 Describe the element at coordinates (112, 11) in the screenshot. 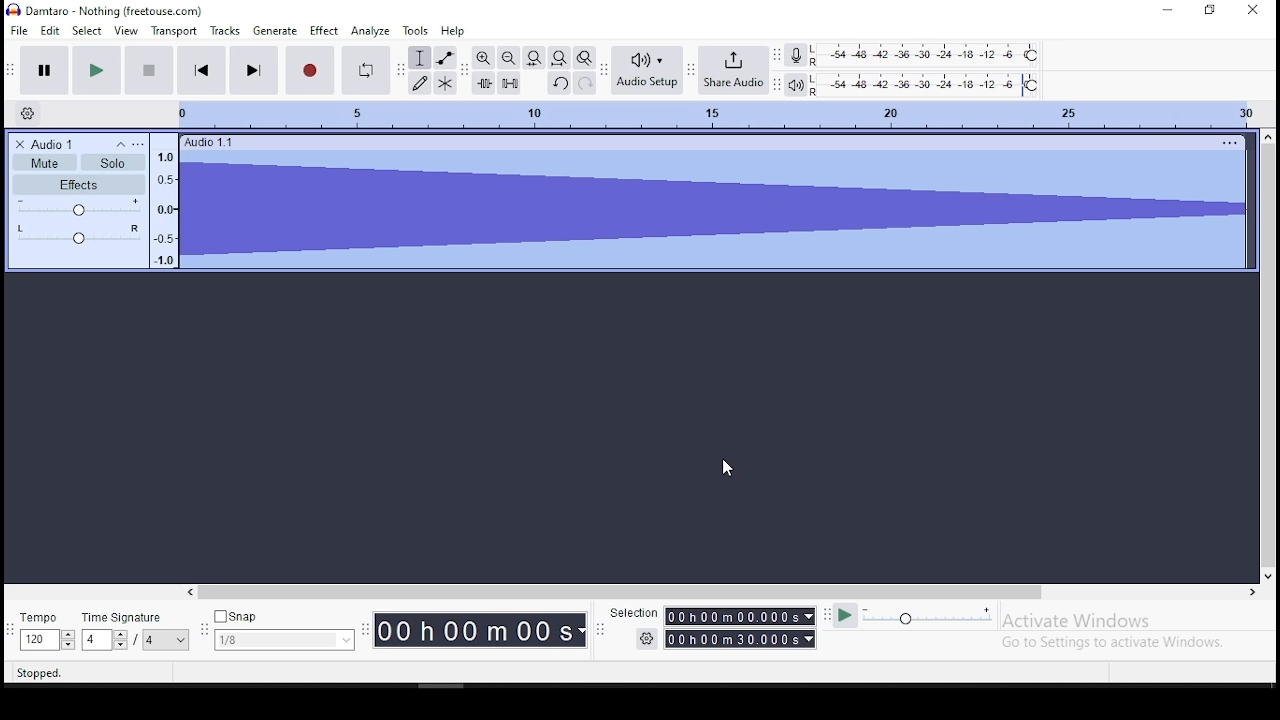

I see `icon and file name` at that location.